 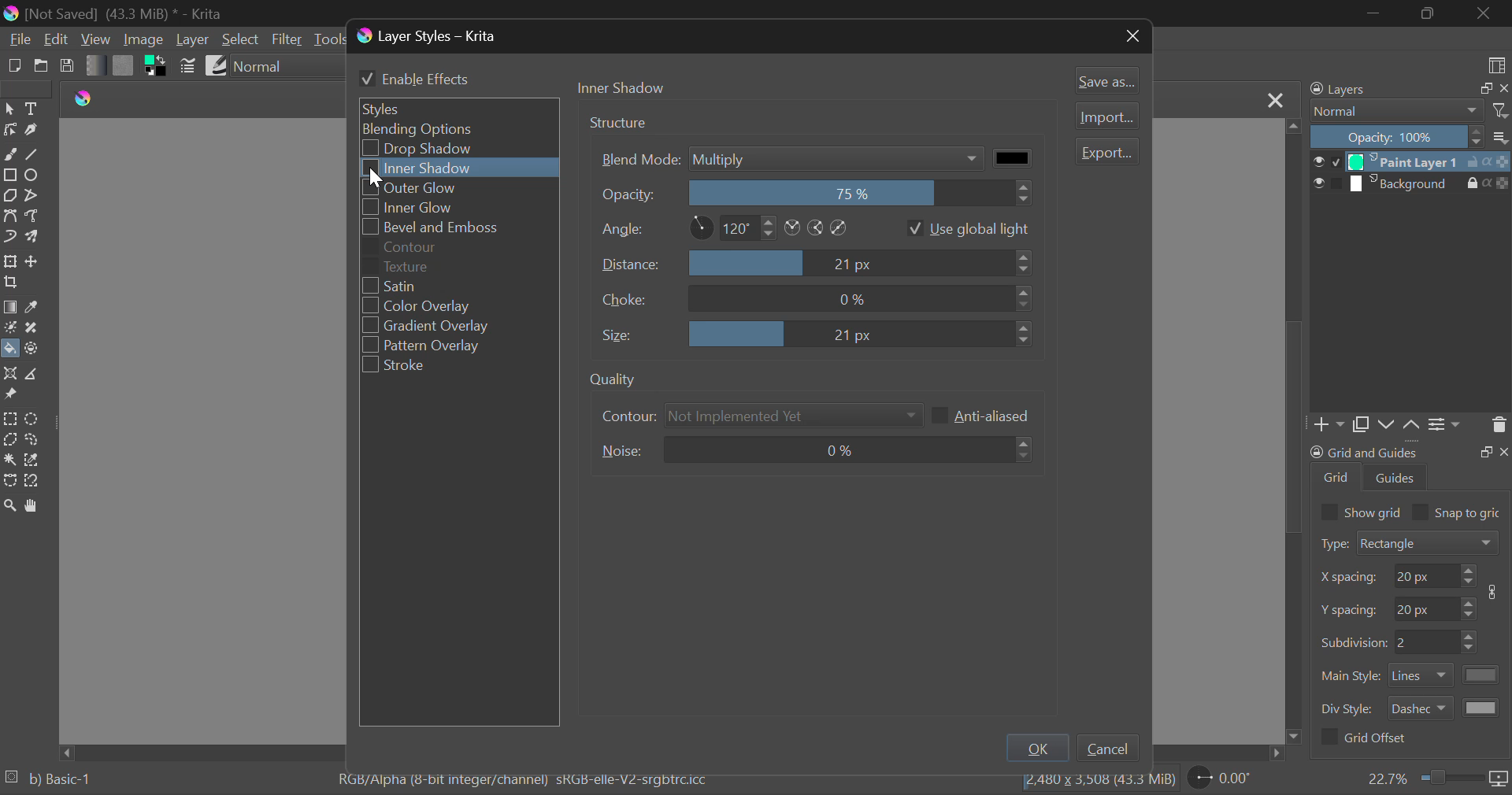 What do you see at coordinates (1411, 138) in the screenshot?
I see `Opacity` at bounding box center [1411, 138].